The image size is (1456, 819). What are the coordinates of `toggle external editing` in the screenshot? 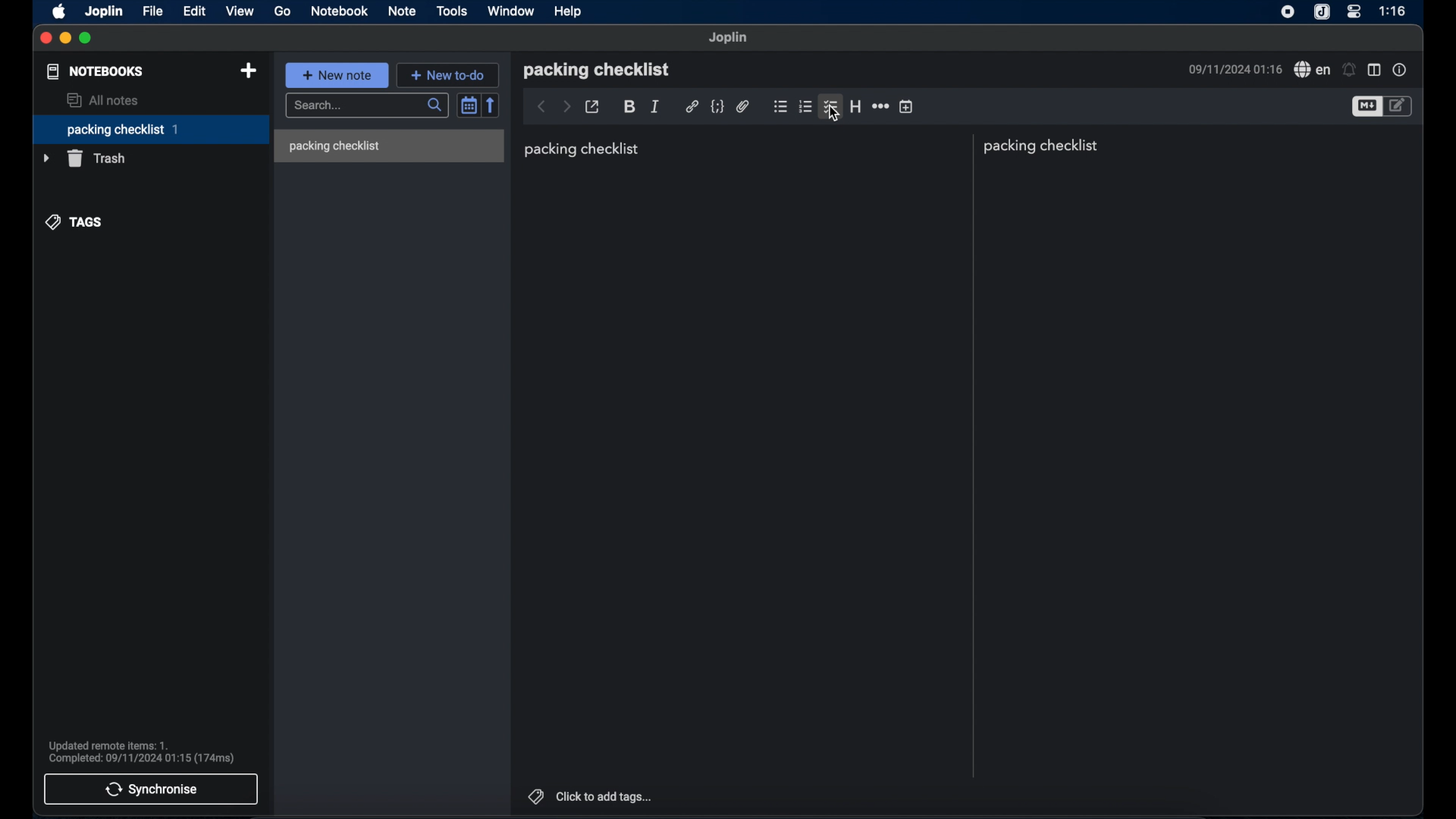 It's located at (593, 107).